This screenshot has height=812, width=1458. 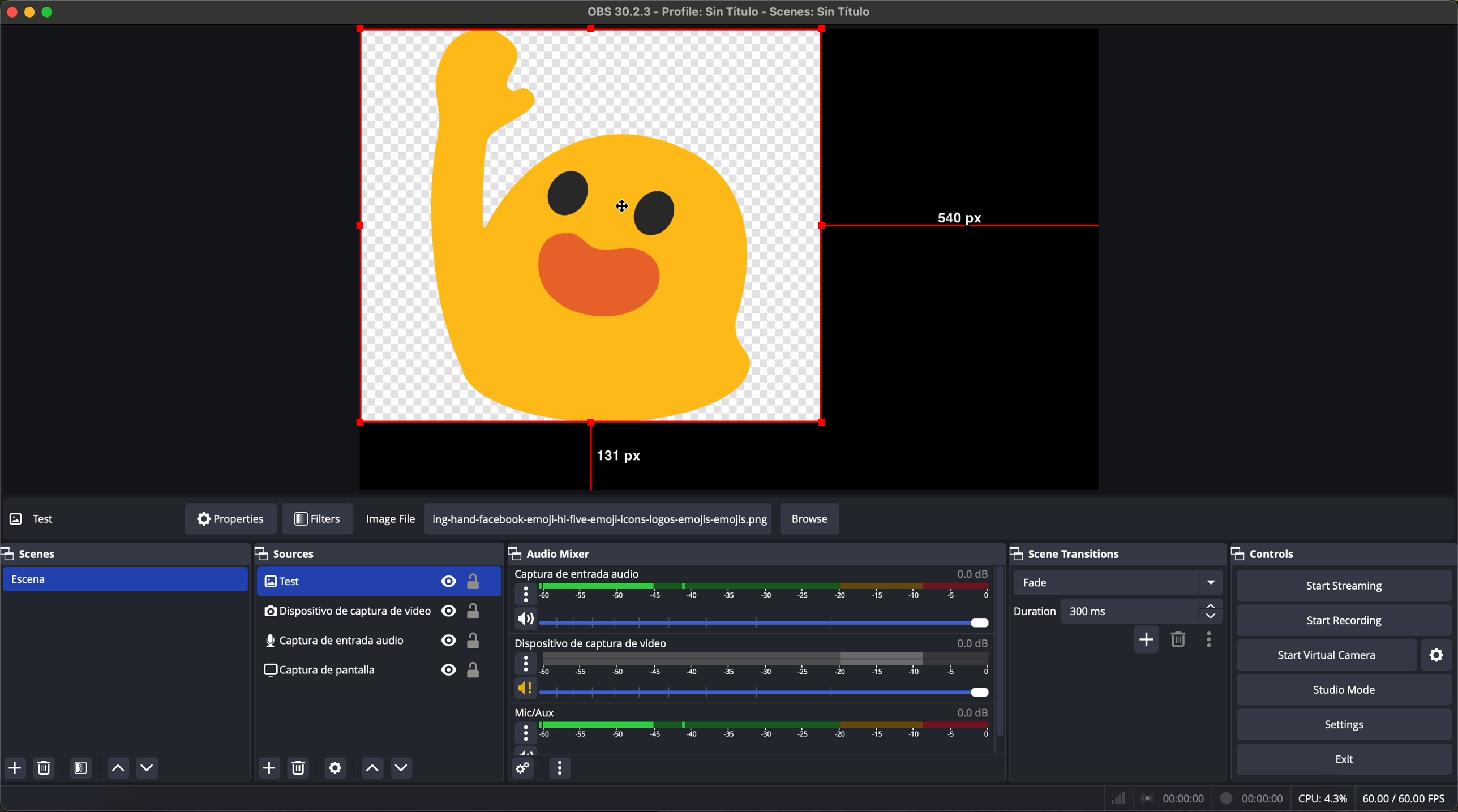 I want to click on vol, so click(x=751, y=689).